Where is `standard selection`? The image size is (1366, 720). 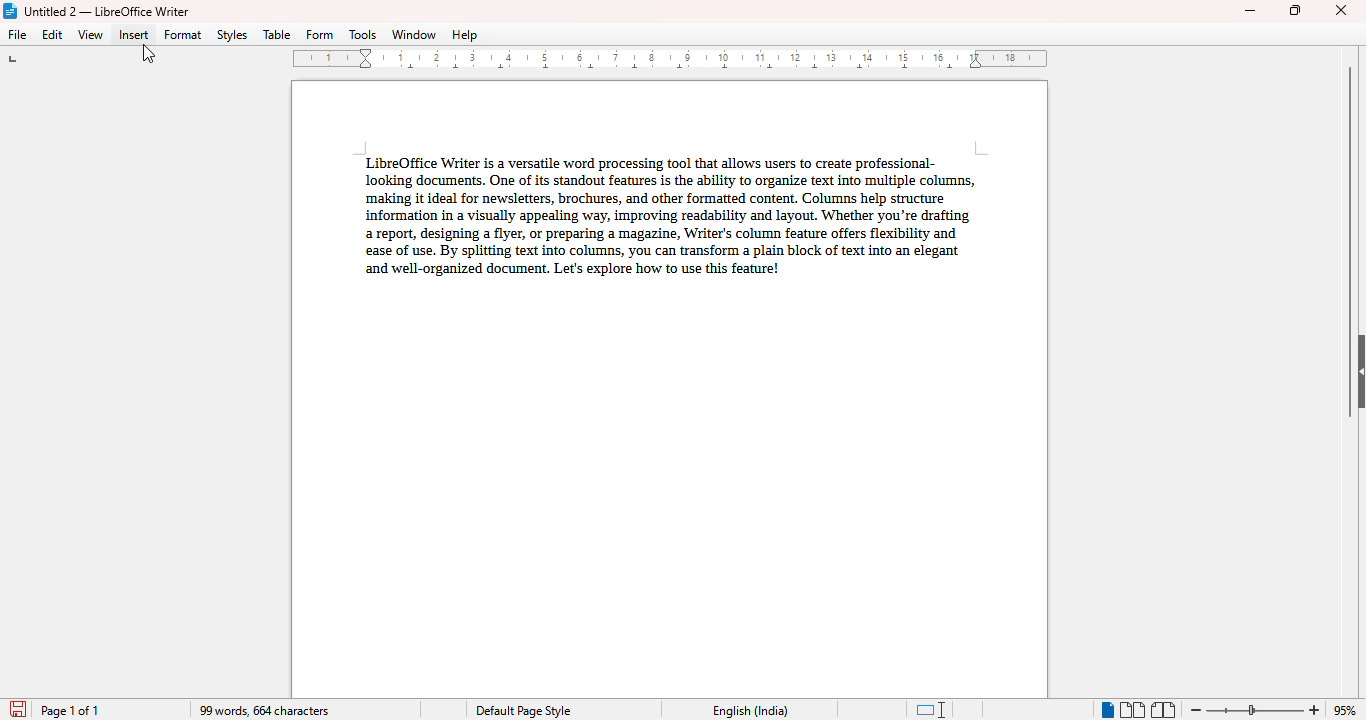
standard selection is located at coordinates (931, 709).